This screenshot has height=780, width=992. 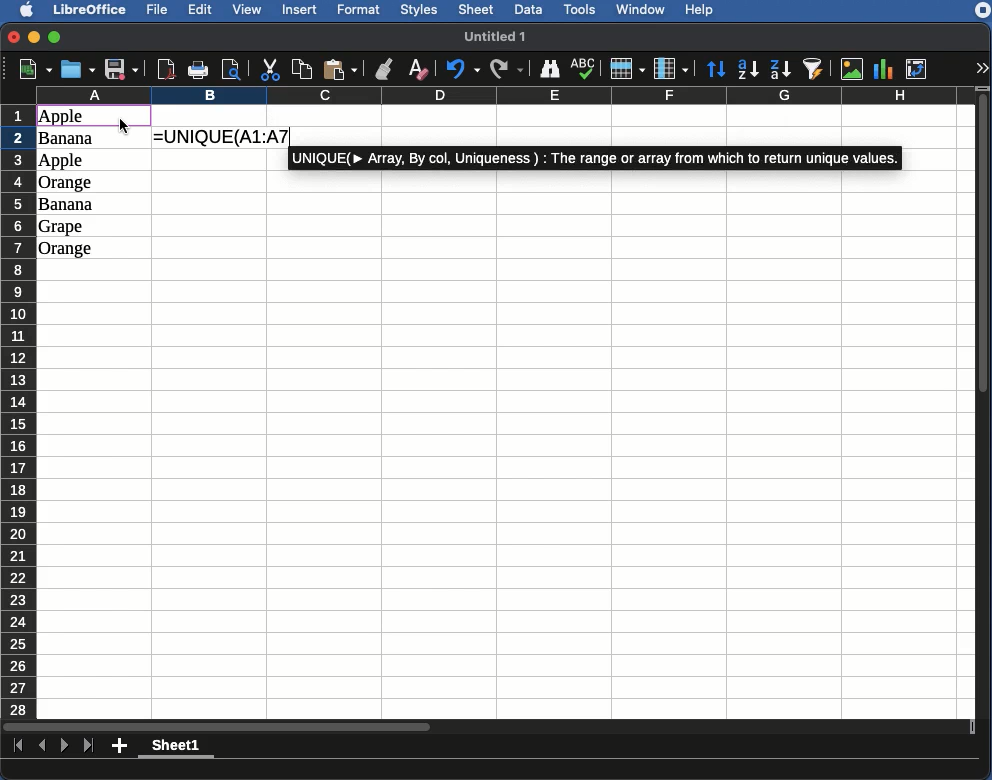 I want to click on Minimize, so click(x=35, y=37).